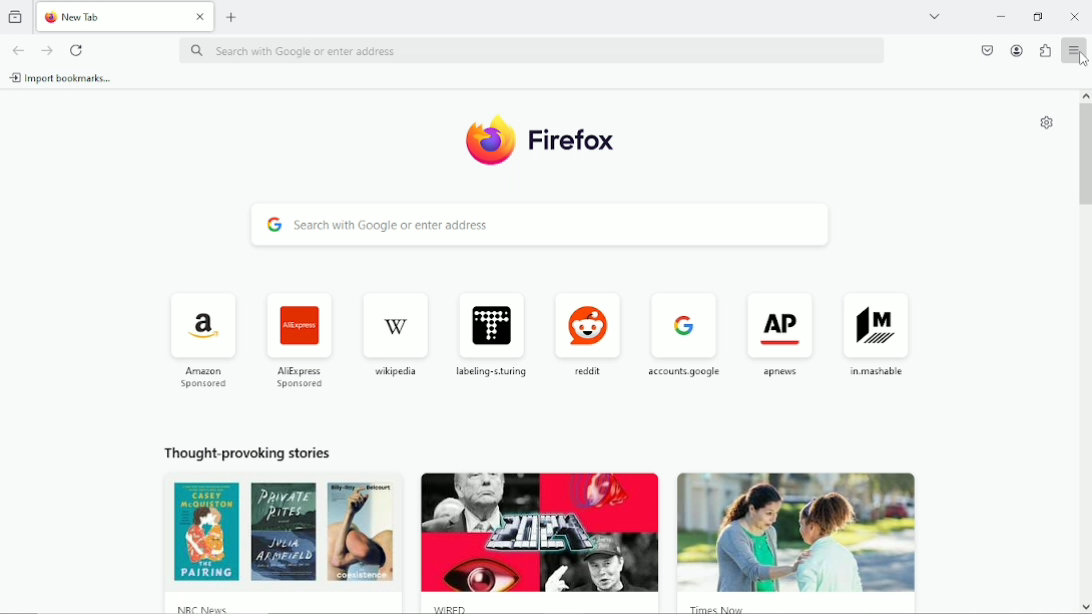  I want to click on wred, so click(449, 605).